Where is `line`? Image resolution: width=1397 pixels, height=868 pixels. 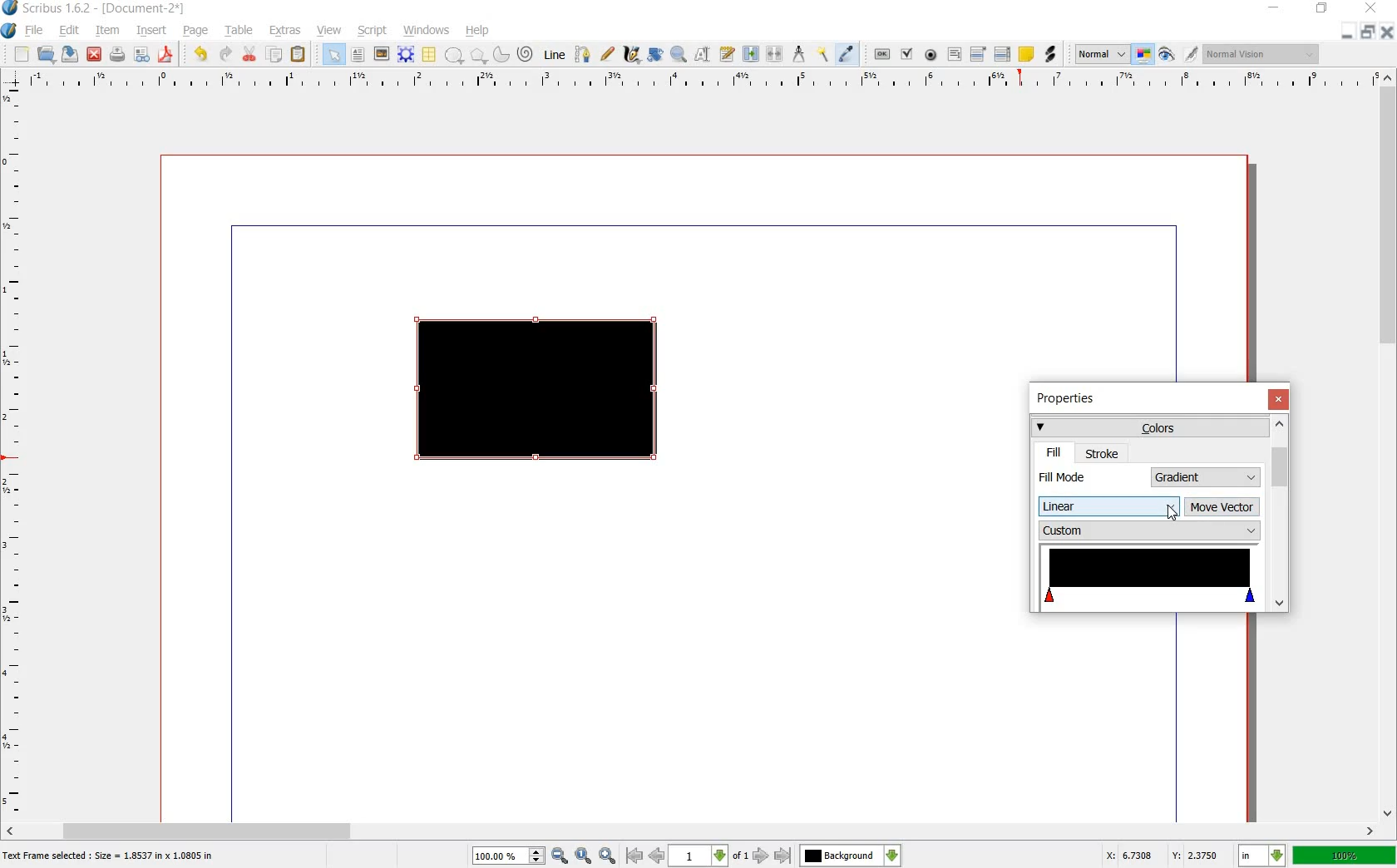
line is located at coordinates (556, 56).